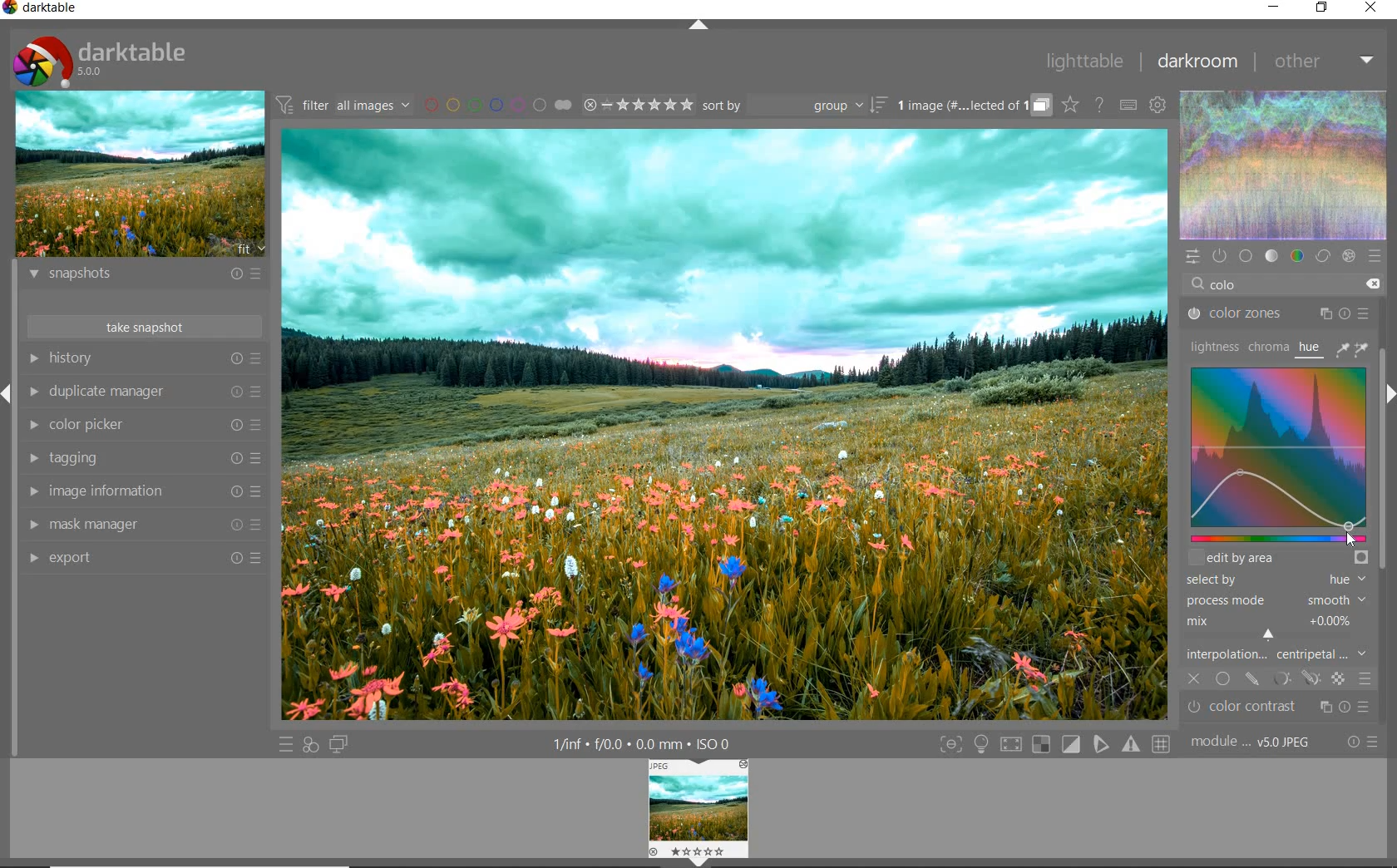 This screenshot has height=868, width=1397. Describe the element at coordinates (1275, 602) in the screenshot. I see `process mode` at that location.